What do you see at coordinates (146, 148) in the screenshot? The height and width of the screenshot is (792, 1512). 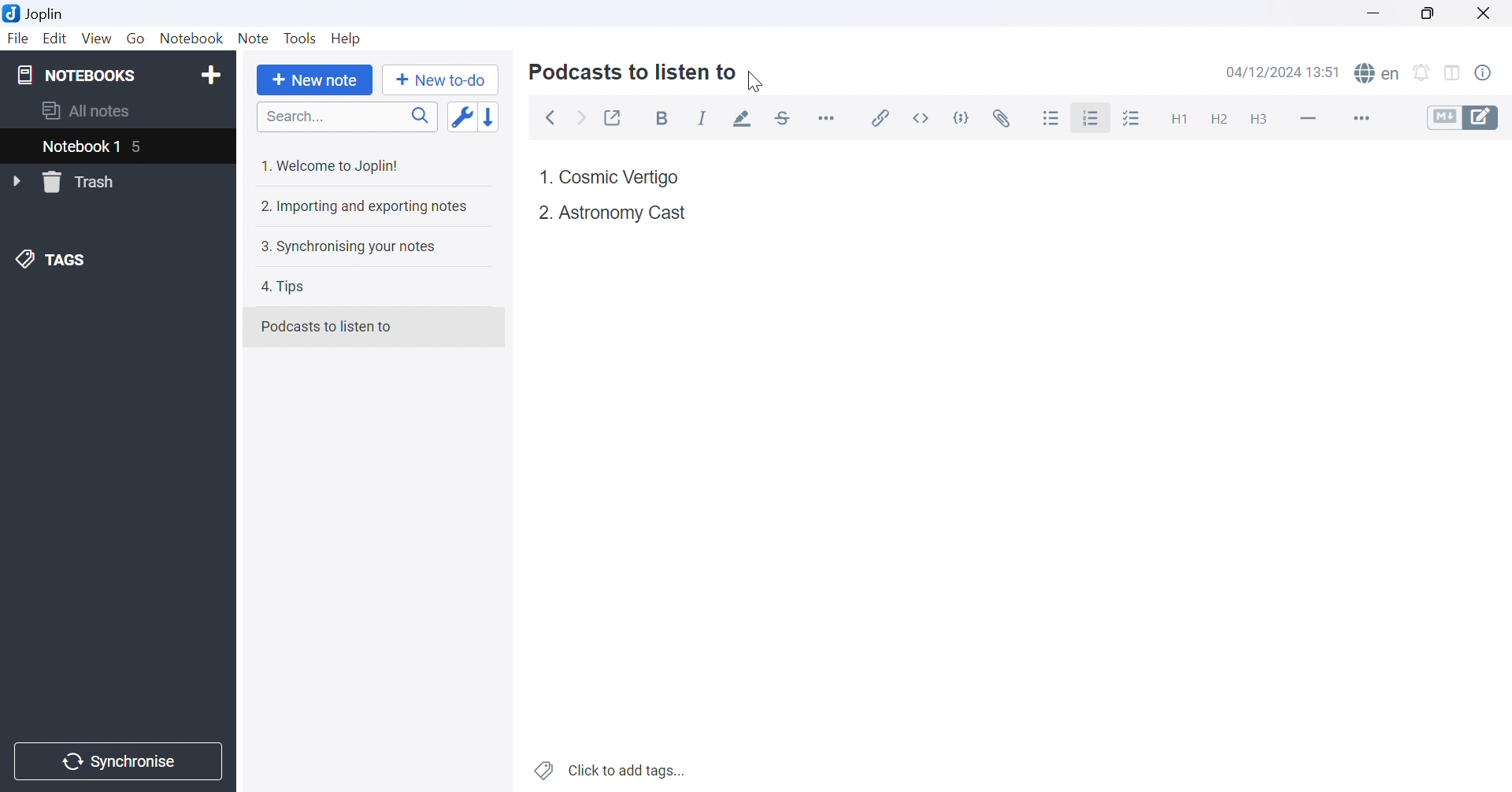 I see `5` at bounding box center [146, 148].